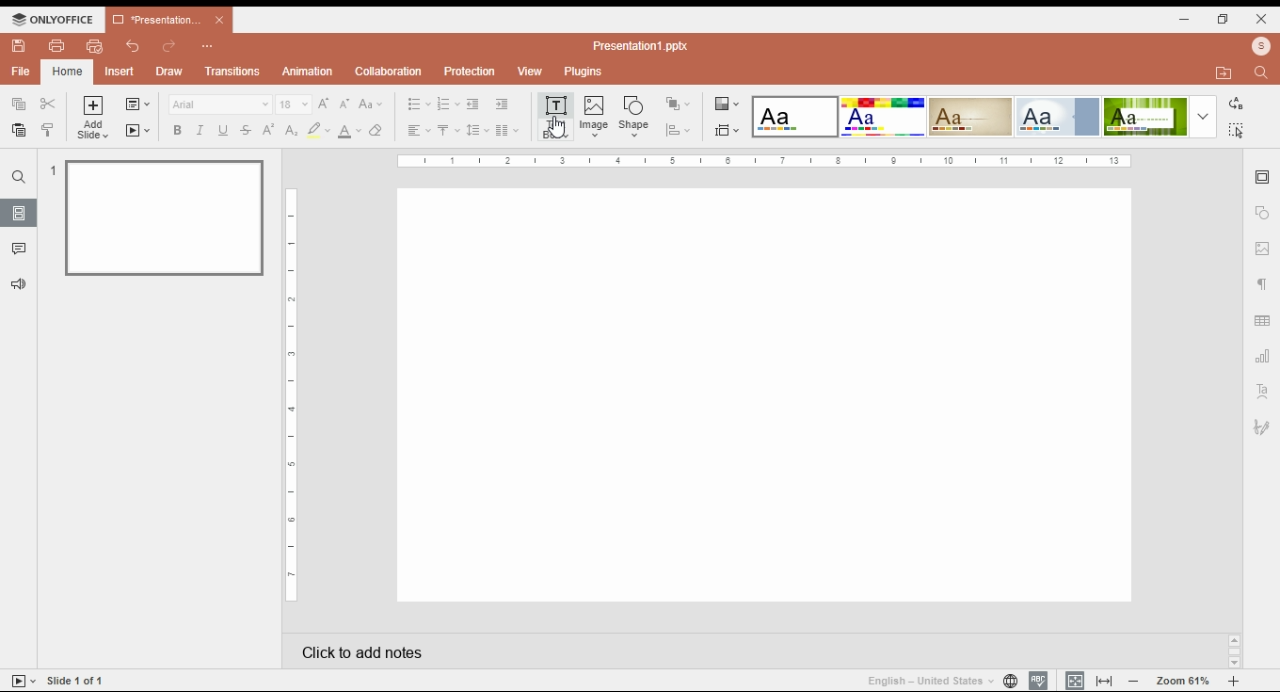 This screenshot has width=1280, height=692. What do you see at coordinates (168, 48) in the screenshot?
I see `redo` at bounding box center [168, 48].